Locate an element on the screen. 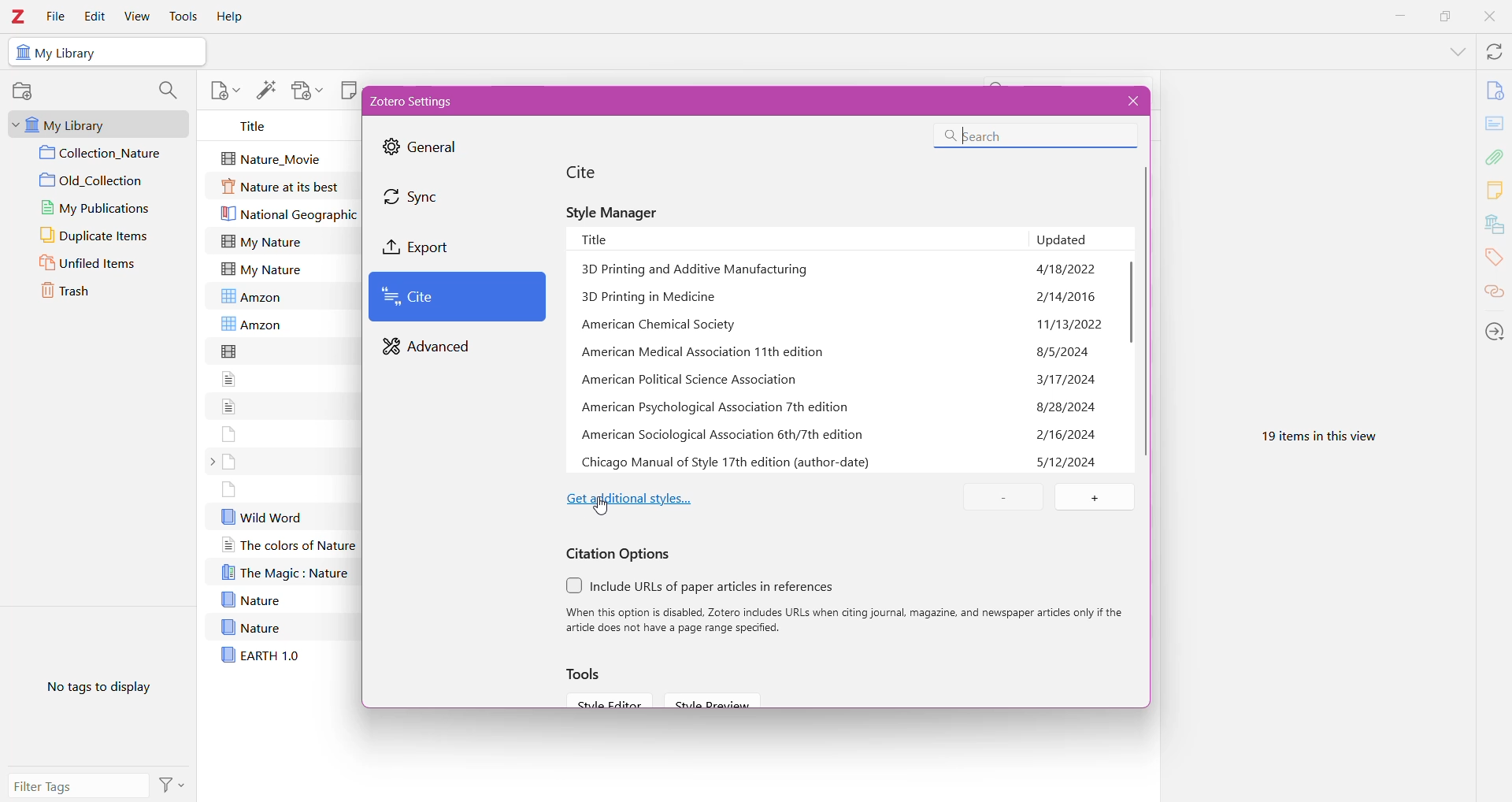 The width and height of the screenshot is (1512, 802). Nature_Movie is located at coordinates (276, 157).